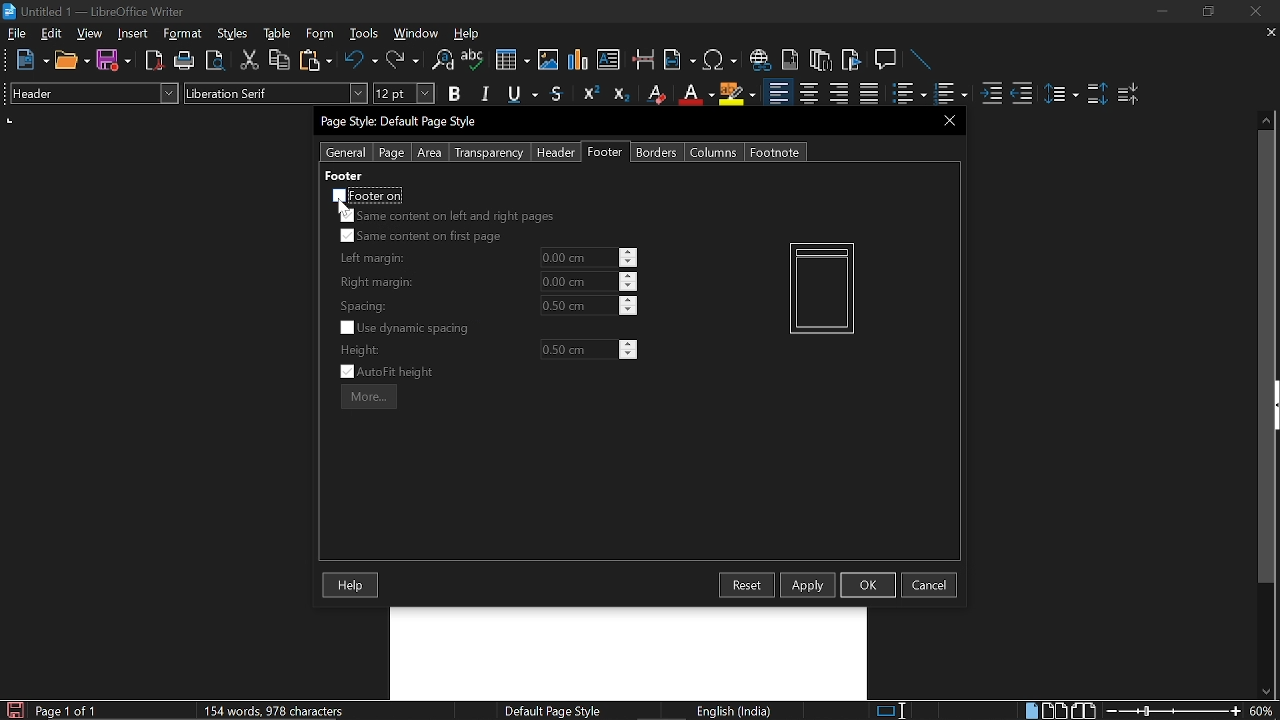  Describe the element at coordinates (1097, 95) in the screenshot. I see `Increase paragraph spacing` at that location.